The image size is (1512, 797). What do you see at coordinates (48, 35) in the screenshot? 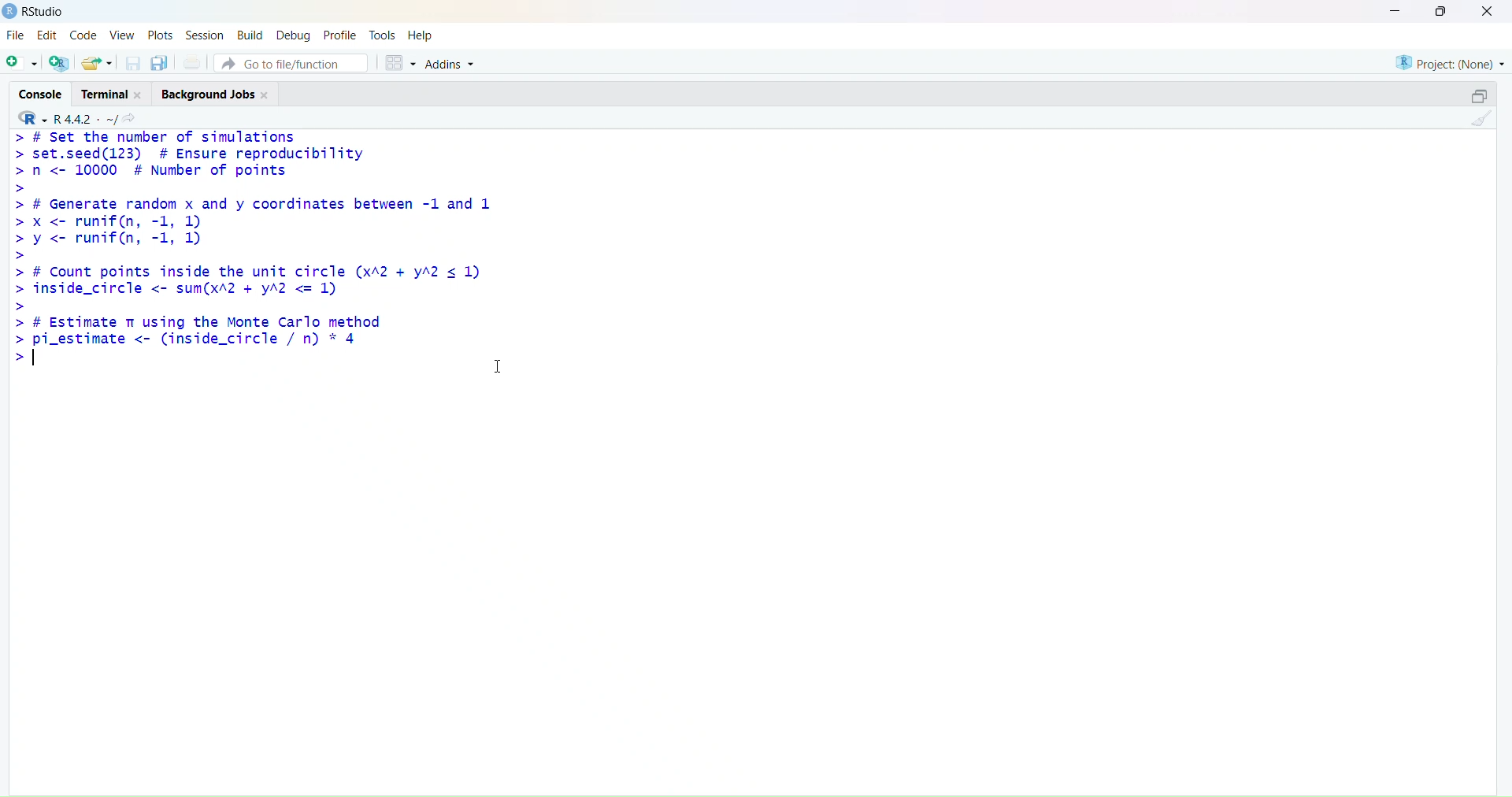
I see `Edit` at bounding box center [48, 35].